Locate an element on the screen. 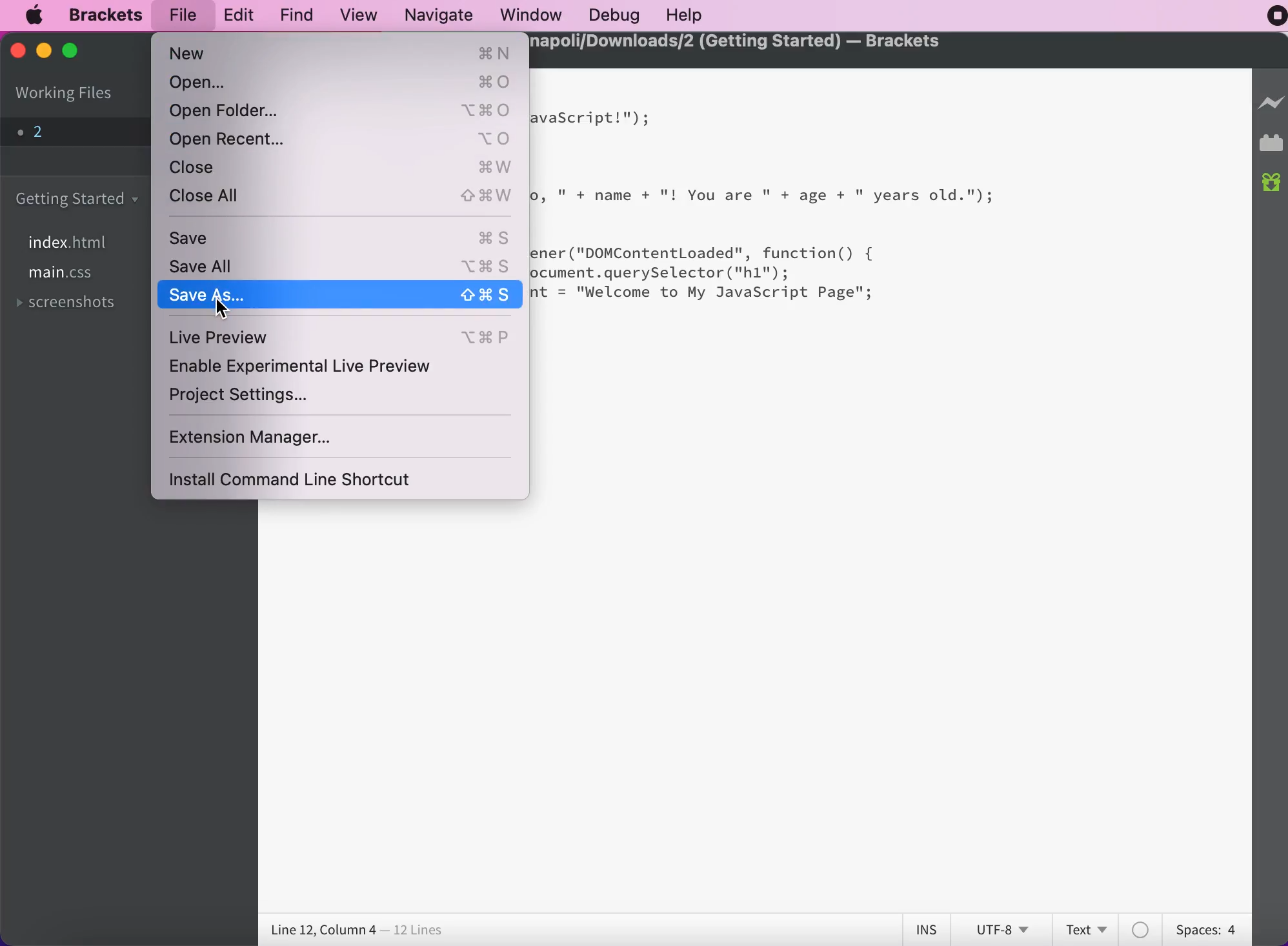 This screenshot has width=1288, height=946. cursor is located at coordinates (221, 308).